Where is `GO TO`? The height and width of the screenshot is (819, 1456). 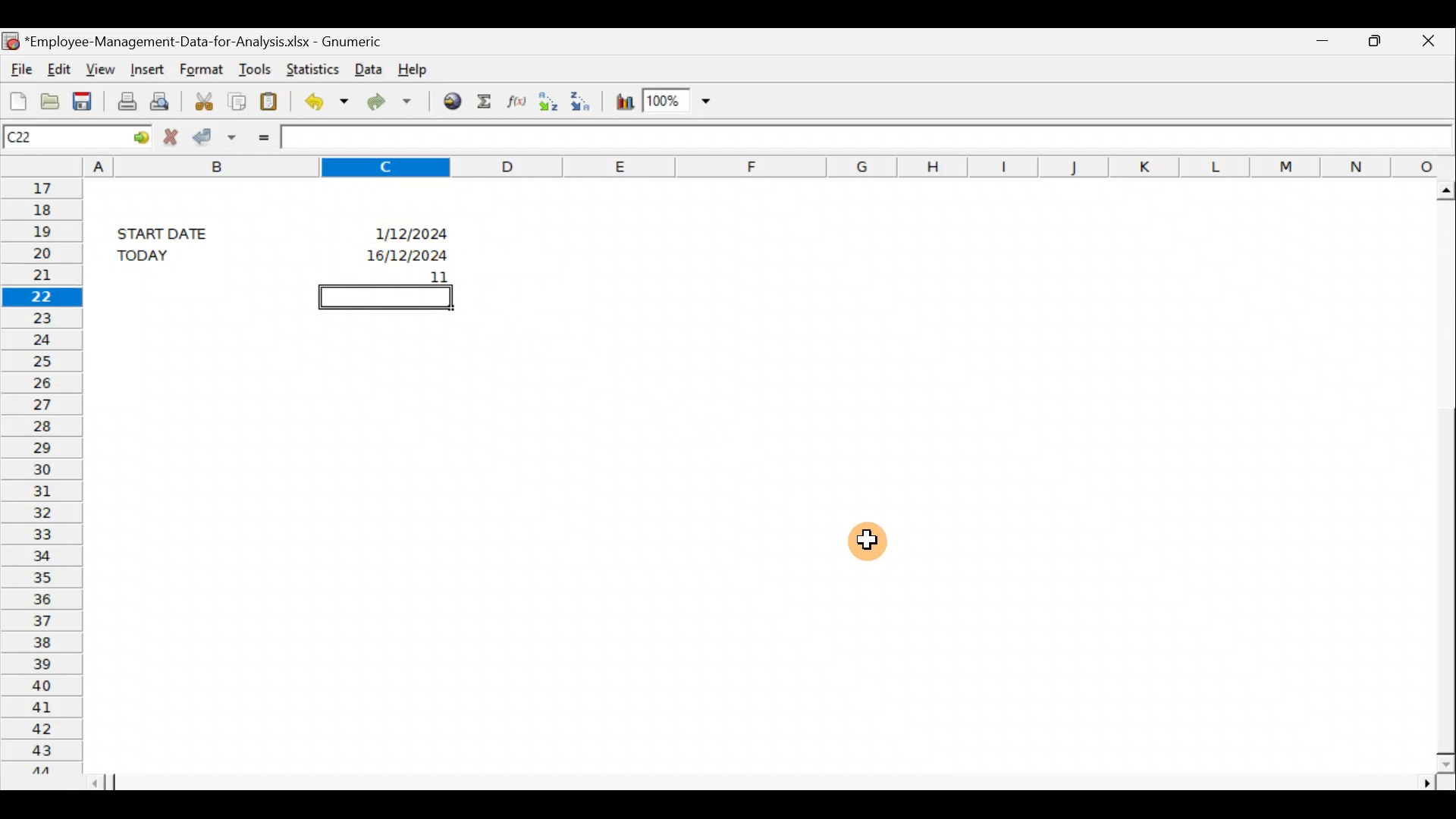
GO TO is located at coordinates (127, 136).